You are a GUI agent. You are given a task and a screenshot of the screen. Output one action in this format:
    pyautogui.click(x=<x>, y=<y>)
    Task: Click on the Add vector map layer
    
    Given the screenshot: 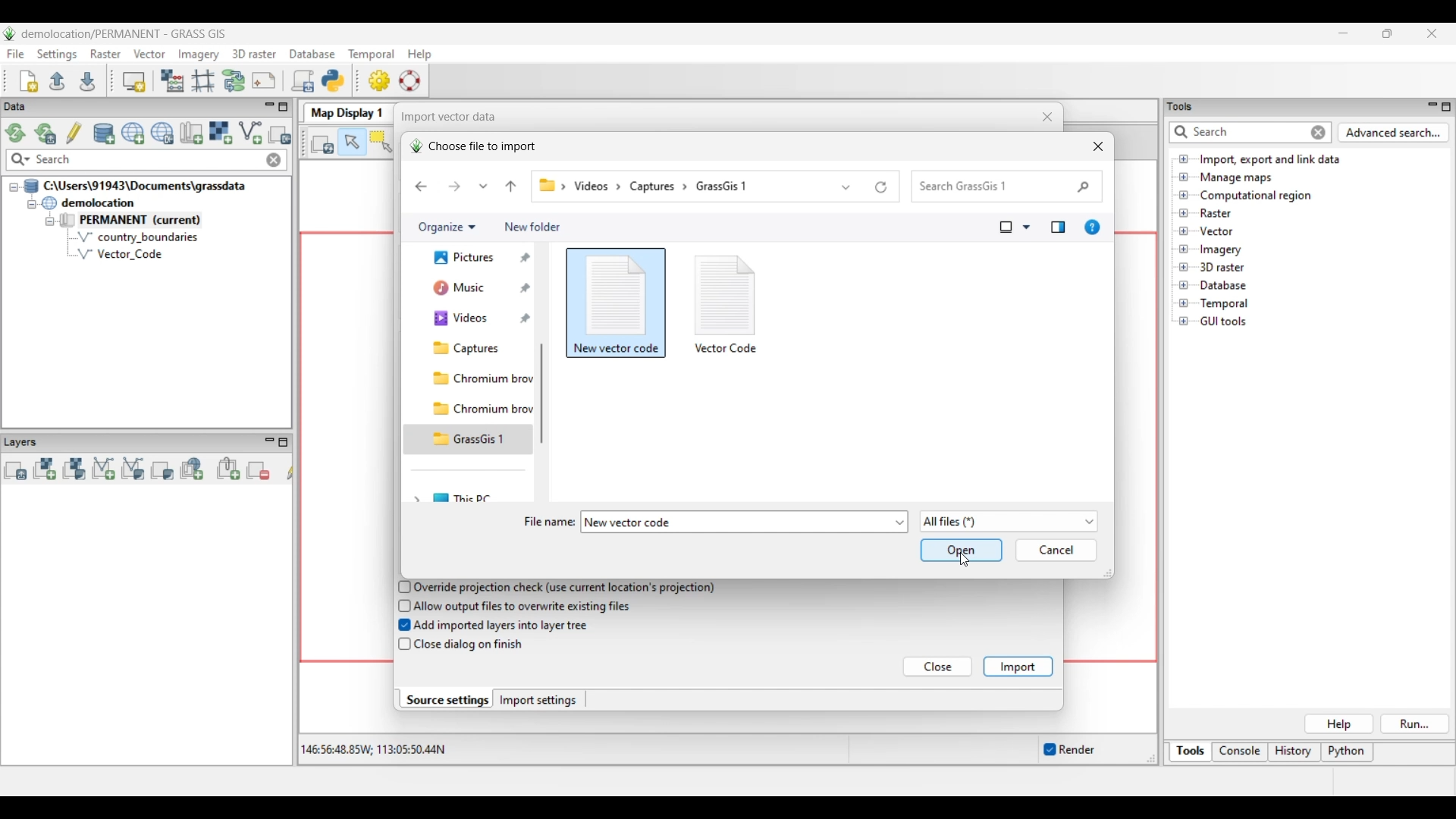 What is the action you would take?
    pyautogui.click(x=104, y=469)
    